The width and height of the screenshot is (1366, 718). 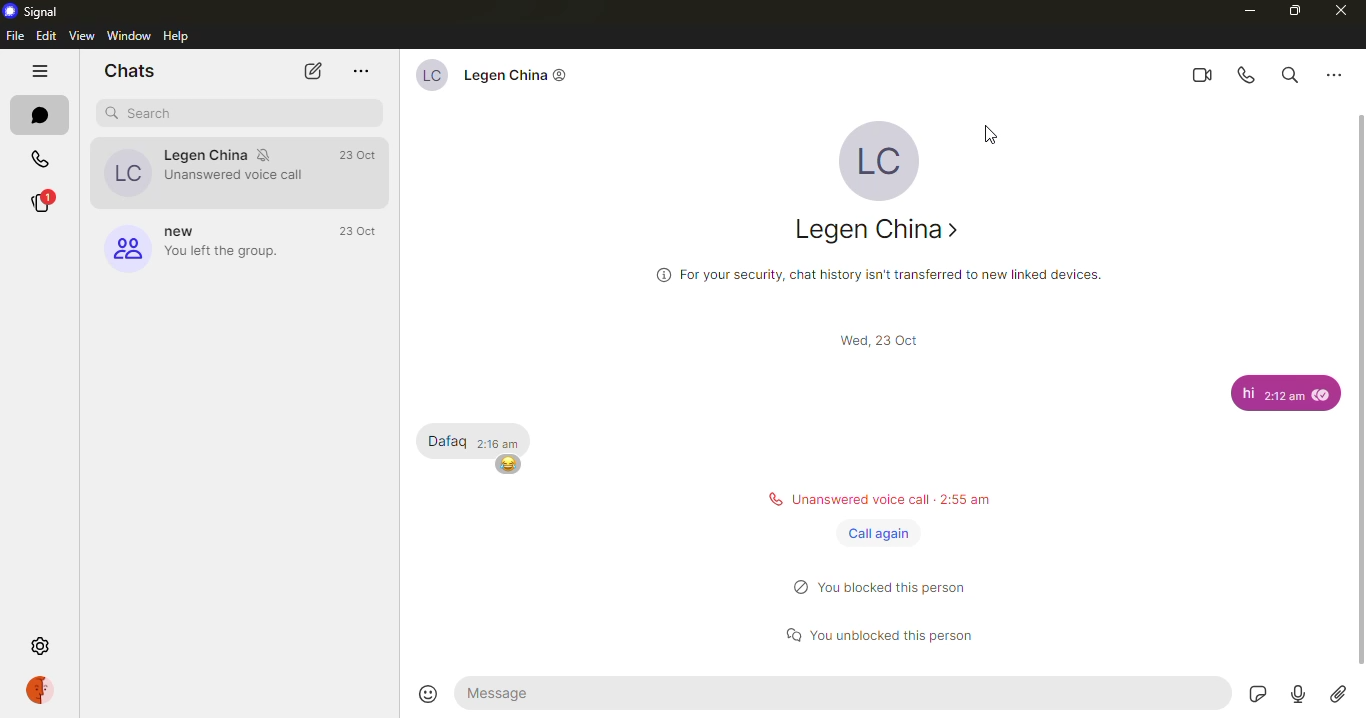 What do you see at coordinates (886, 342) in the screenshot?
I see `time` at bounding box center [886, 342].